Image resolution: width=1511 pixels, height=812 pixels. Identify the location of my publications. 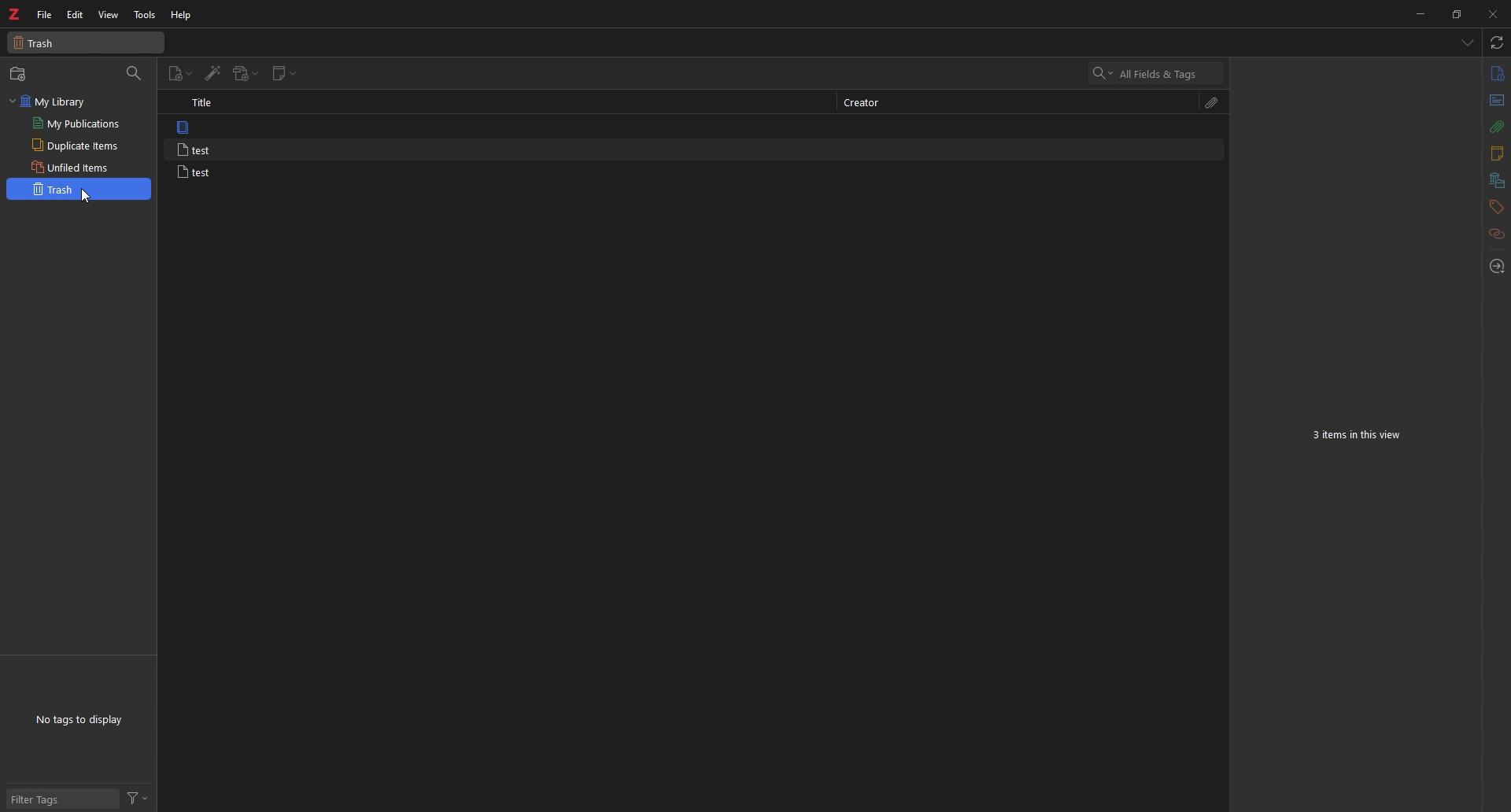
(79, 124).